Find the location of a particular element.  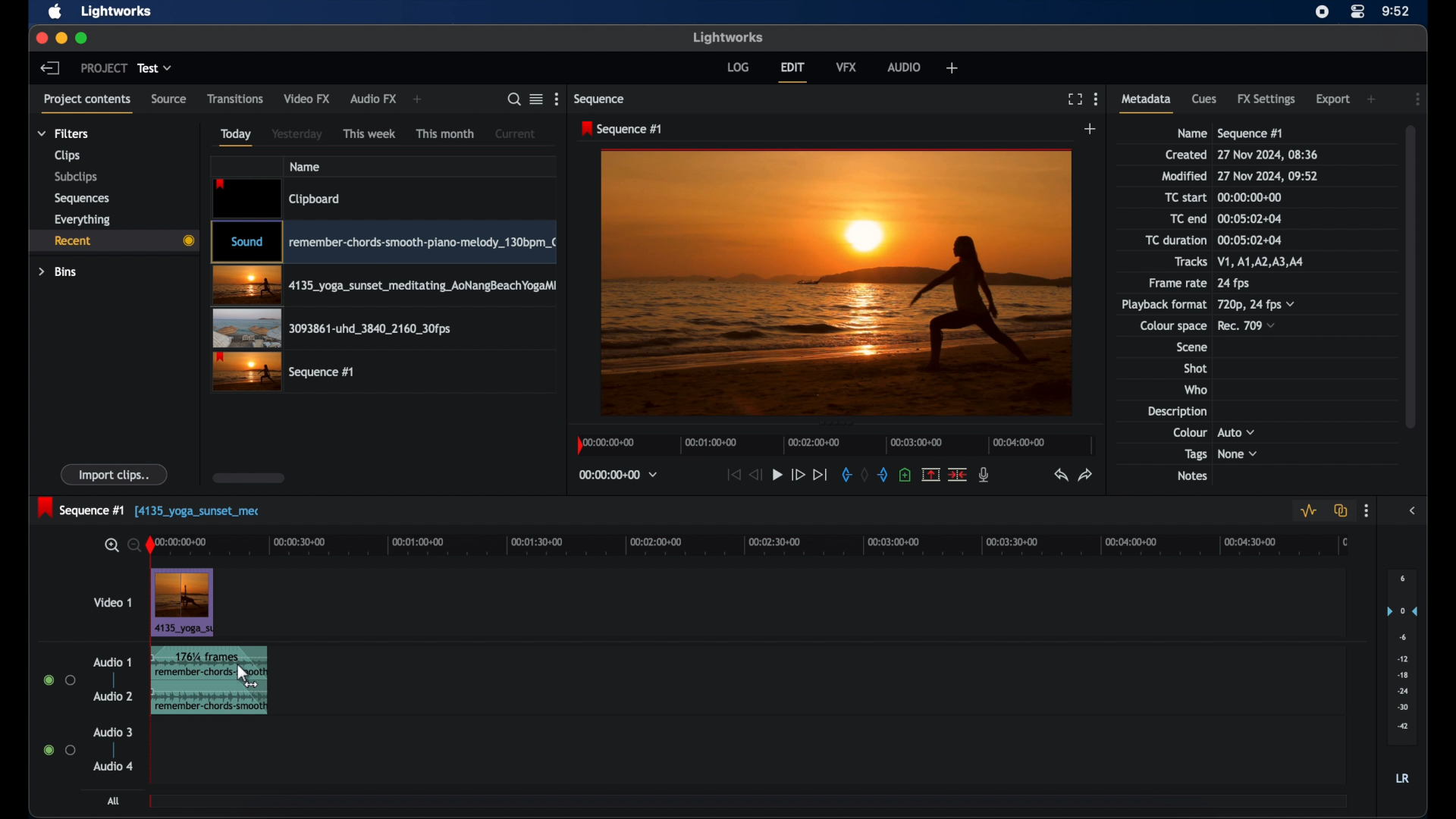

more options is located at coordinates (1097, 99).